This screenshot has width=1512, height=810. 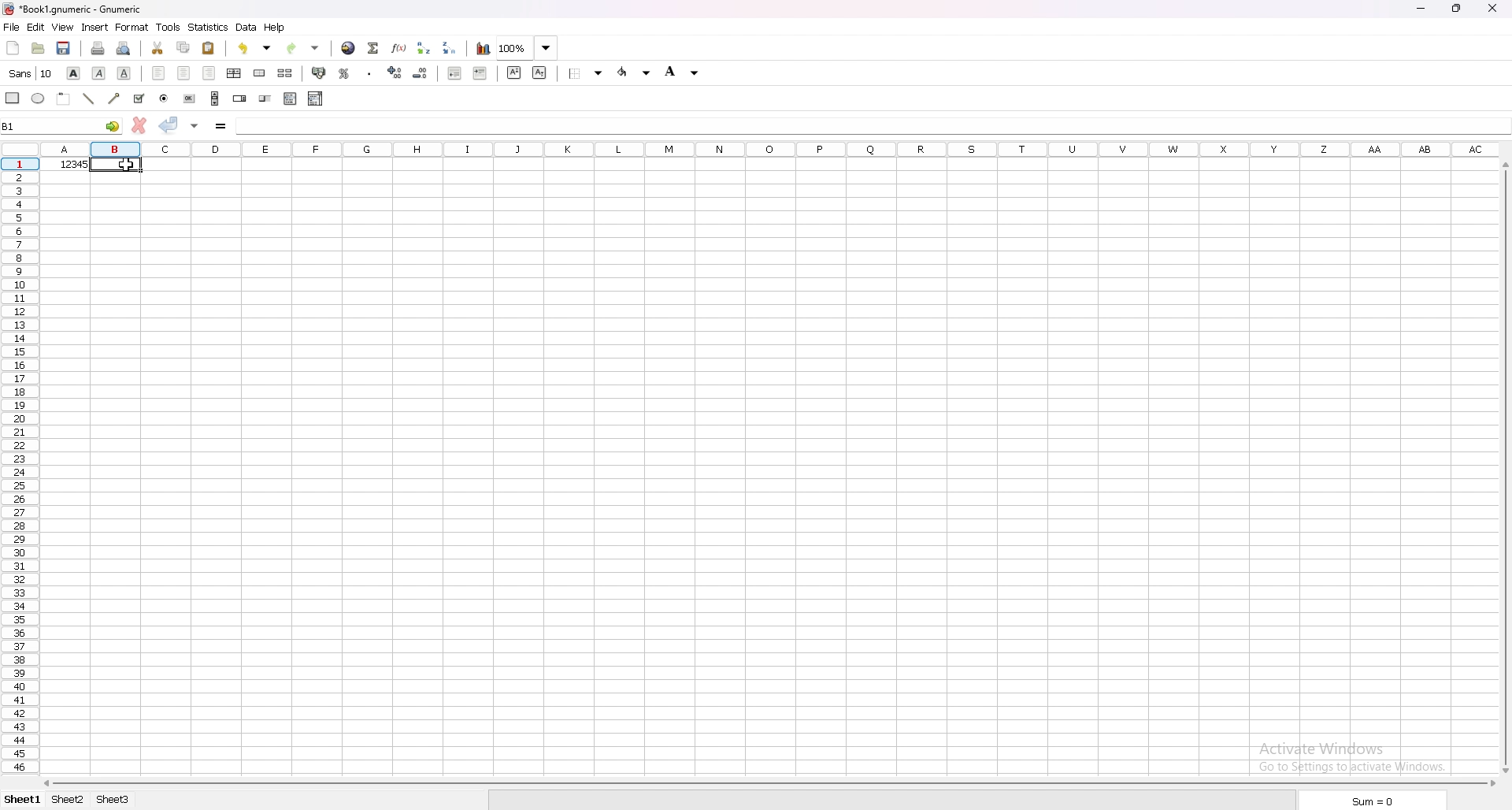 What do you see at coordinates (116, 98) in the screenshot?
I see `arrowed line` at bounding box center [116, 98].